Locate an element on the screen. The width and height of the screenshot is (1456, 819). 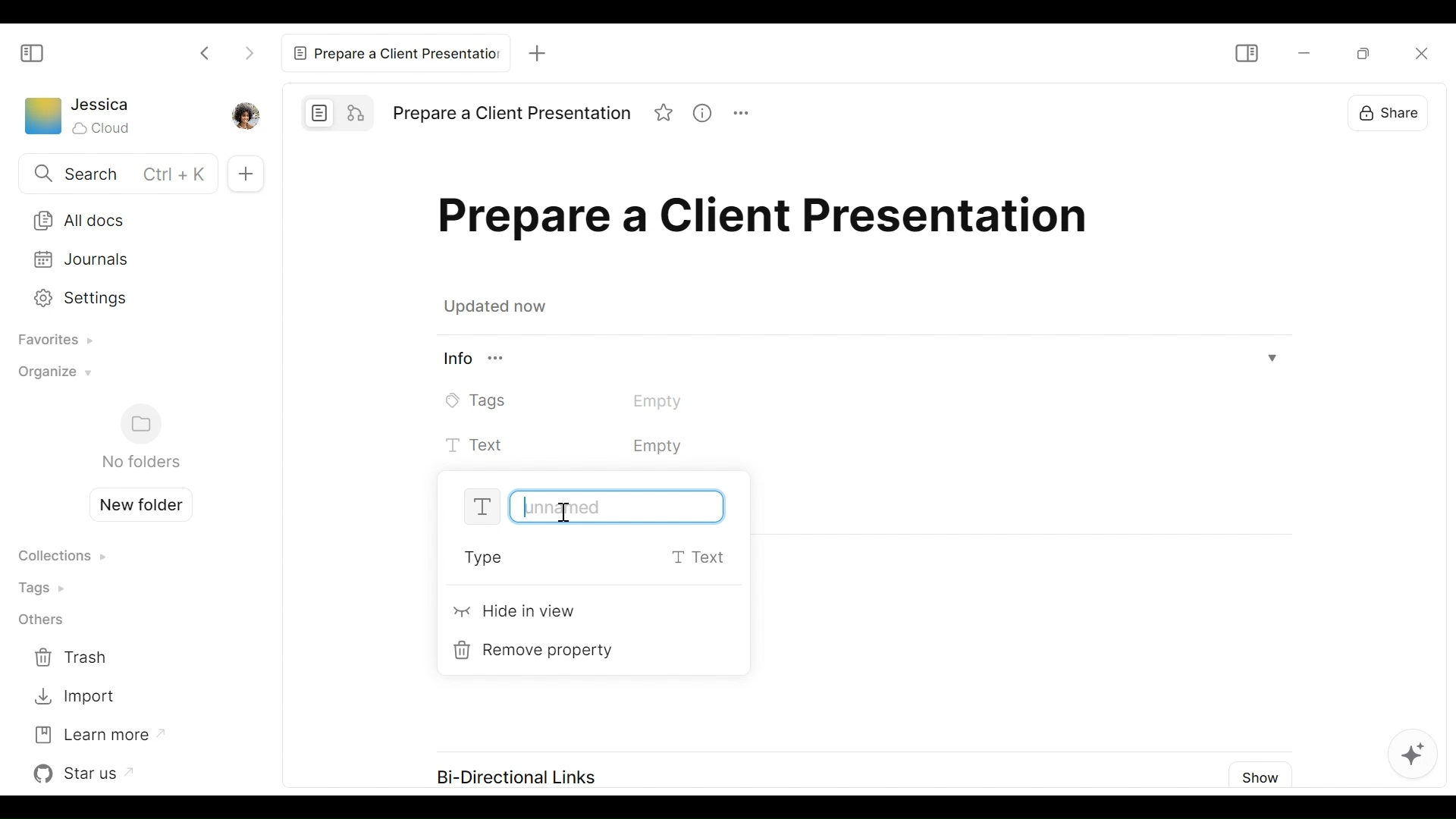
Others is located at coordinates (40, 621).